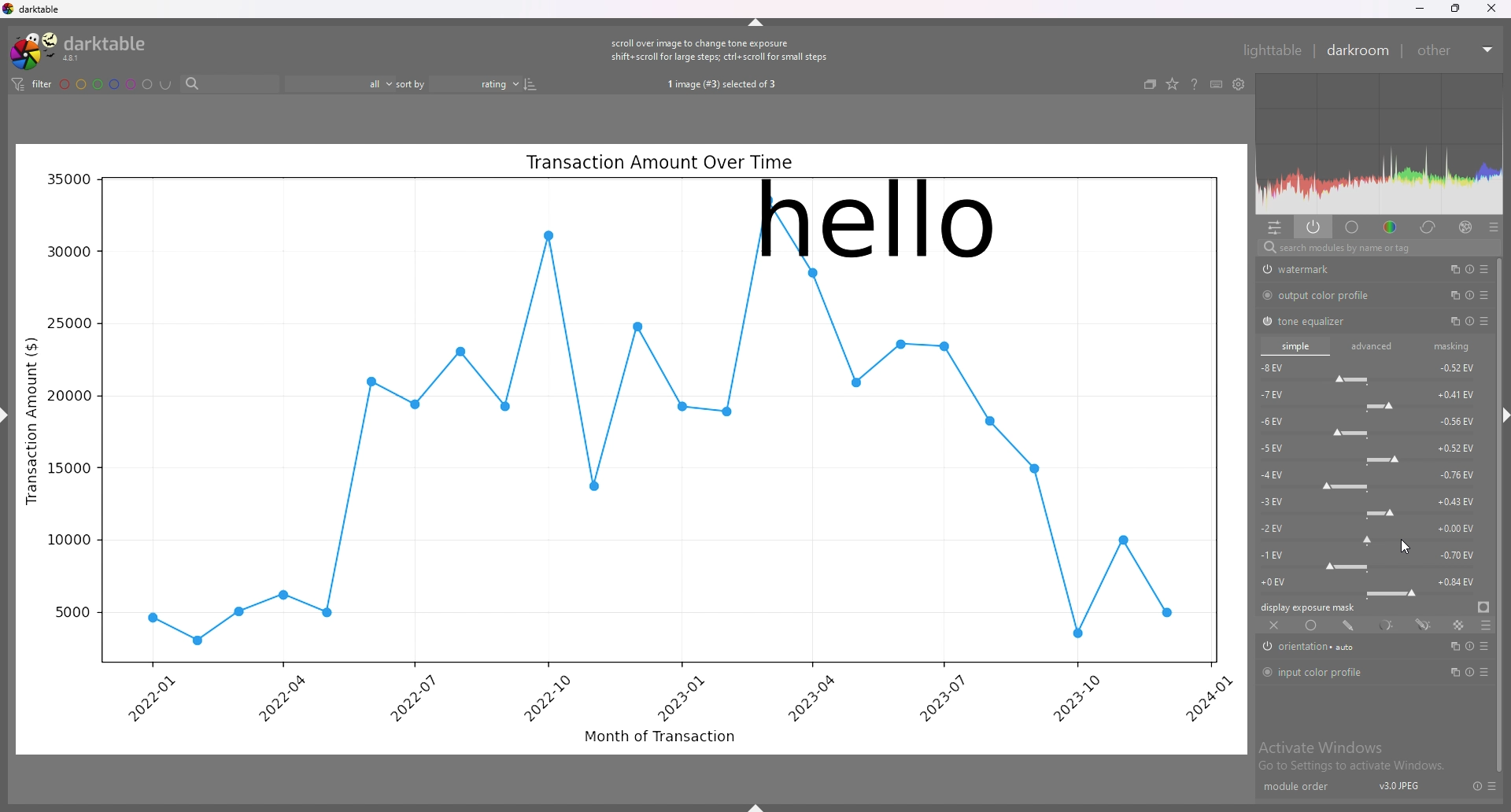 The width and height of the screenshot is (1511, 812). I want to click on watermark, so click(1317, 270).